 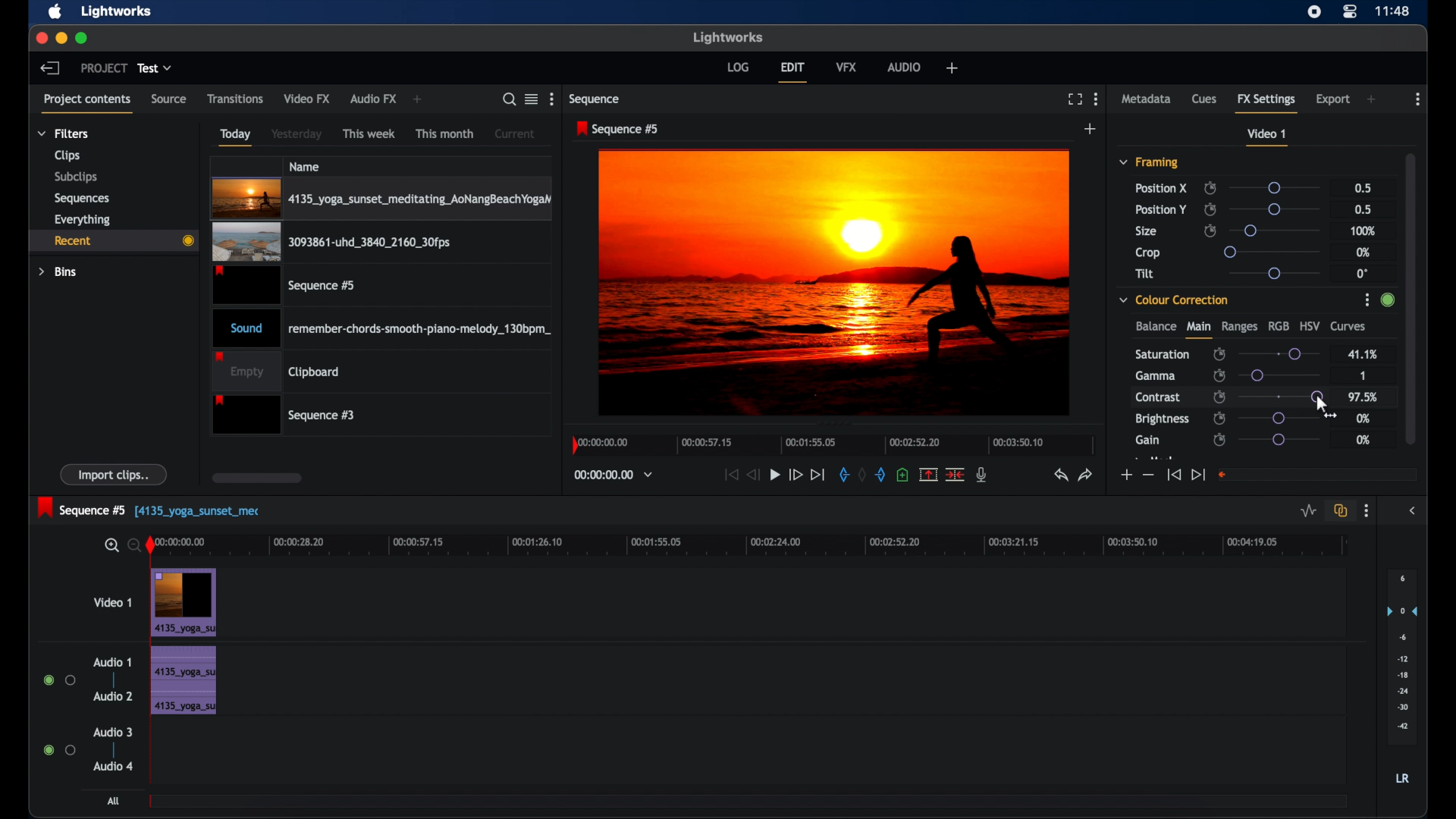 What do you see at coordinates (1273, 187) in the screenshot?
I see `slider` at bounding box center [1273, 187].